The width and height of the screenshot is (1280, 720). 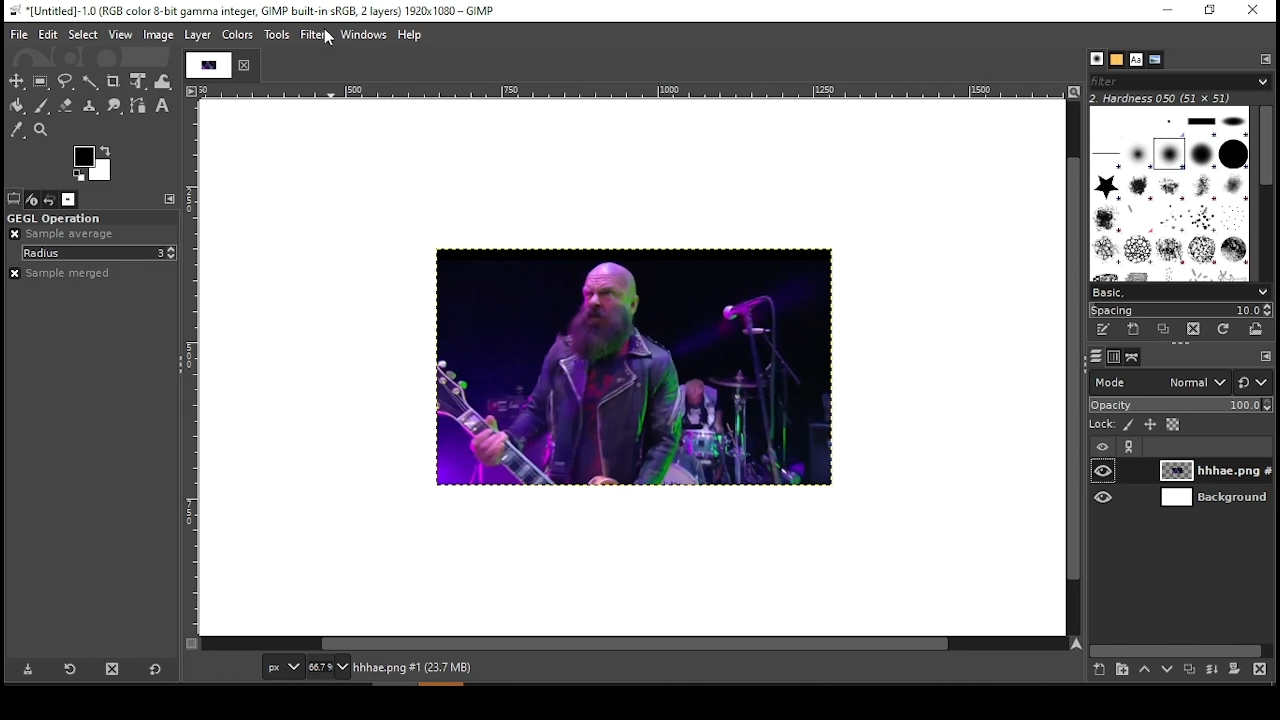 What do you see at coordinates (1098, 59) in the screenshot?
I see `brushes` at bounding box center [1098, 59].